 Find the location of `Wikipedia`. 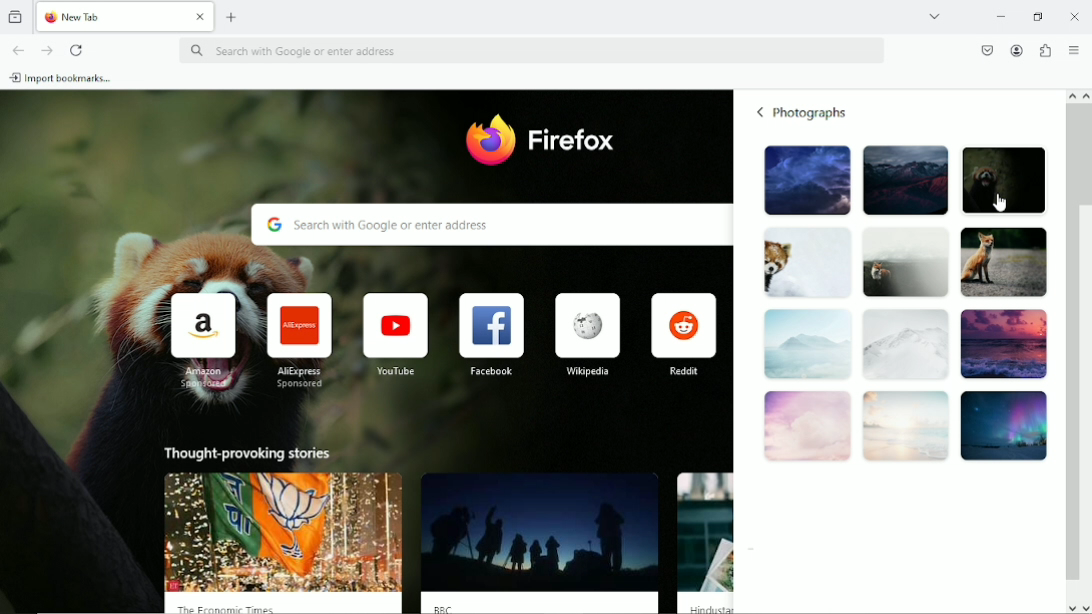

Wikipedia is located at coordinates (585, 333).